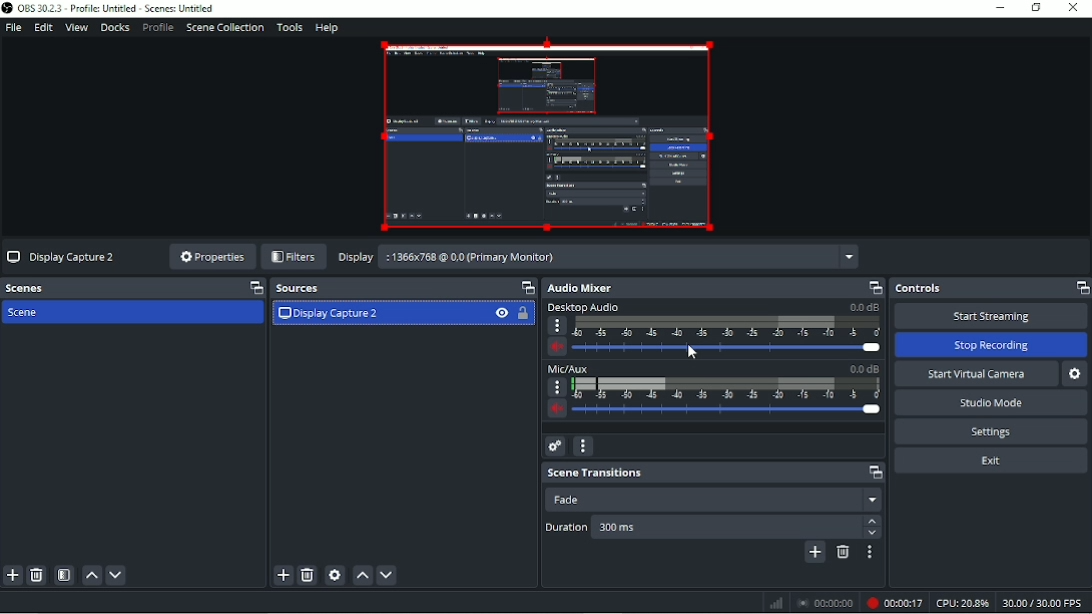 The height and width of the screenshot is (614, 1092). I want to click on Help, so click(327, 29).